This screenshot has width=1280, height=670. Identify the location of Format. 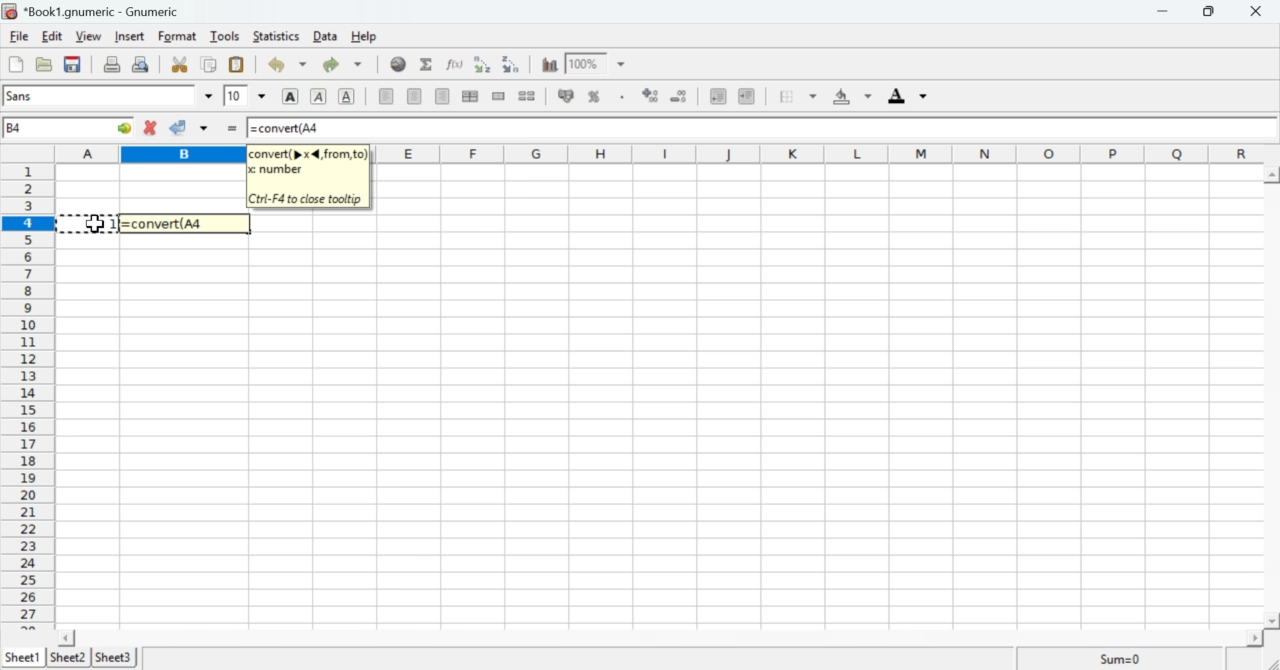
(178, 37).